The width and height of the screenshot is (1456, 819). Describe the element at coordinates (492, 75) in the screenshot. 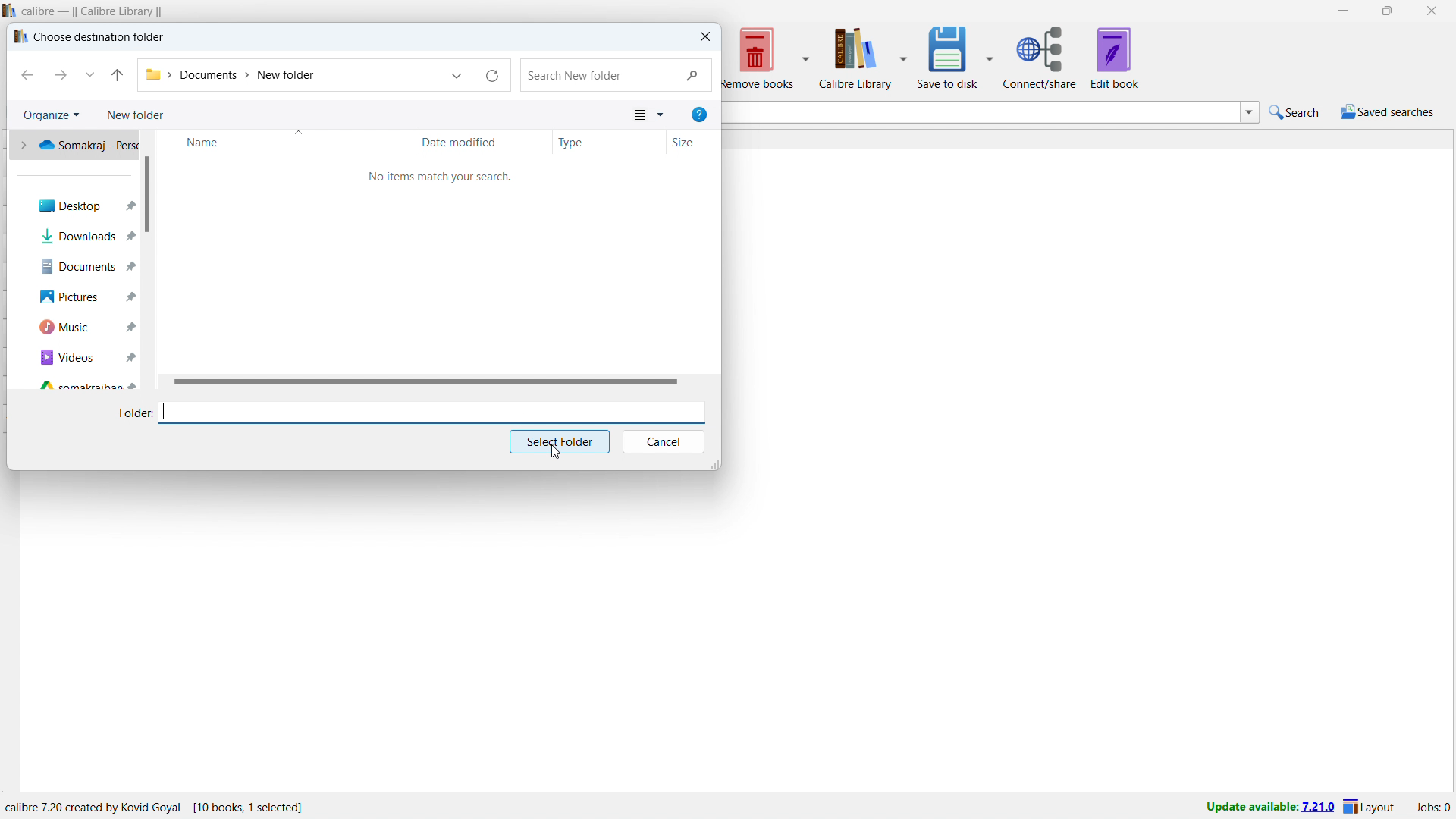

I see `reload` at that location.